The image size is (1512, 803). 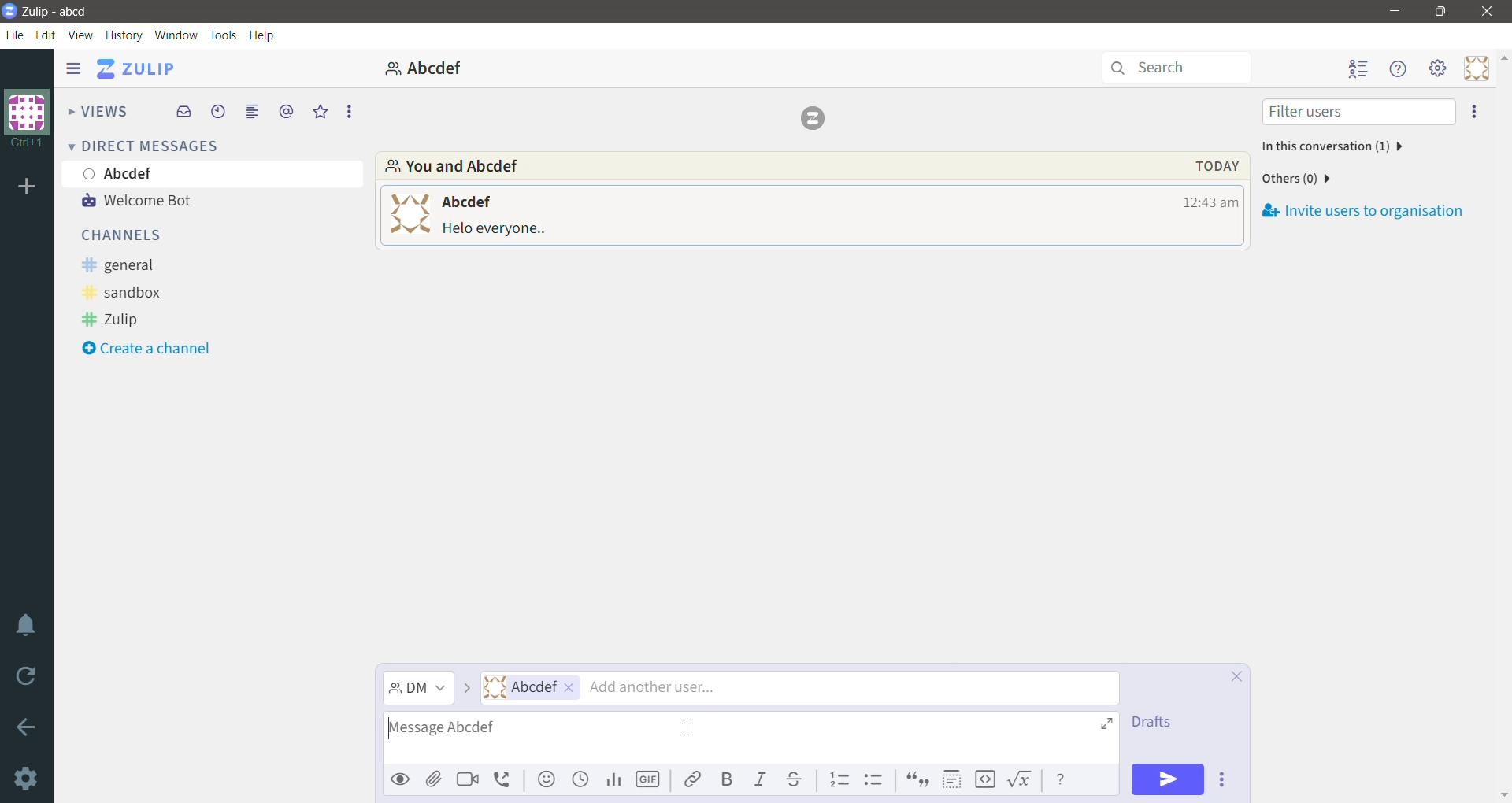 I want to click on Bold, so click(x=728, y=779).